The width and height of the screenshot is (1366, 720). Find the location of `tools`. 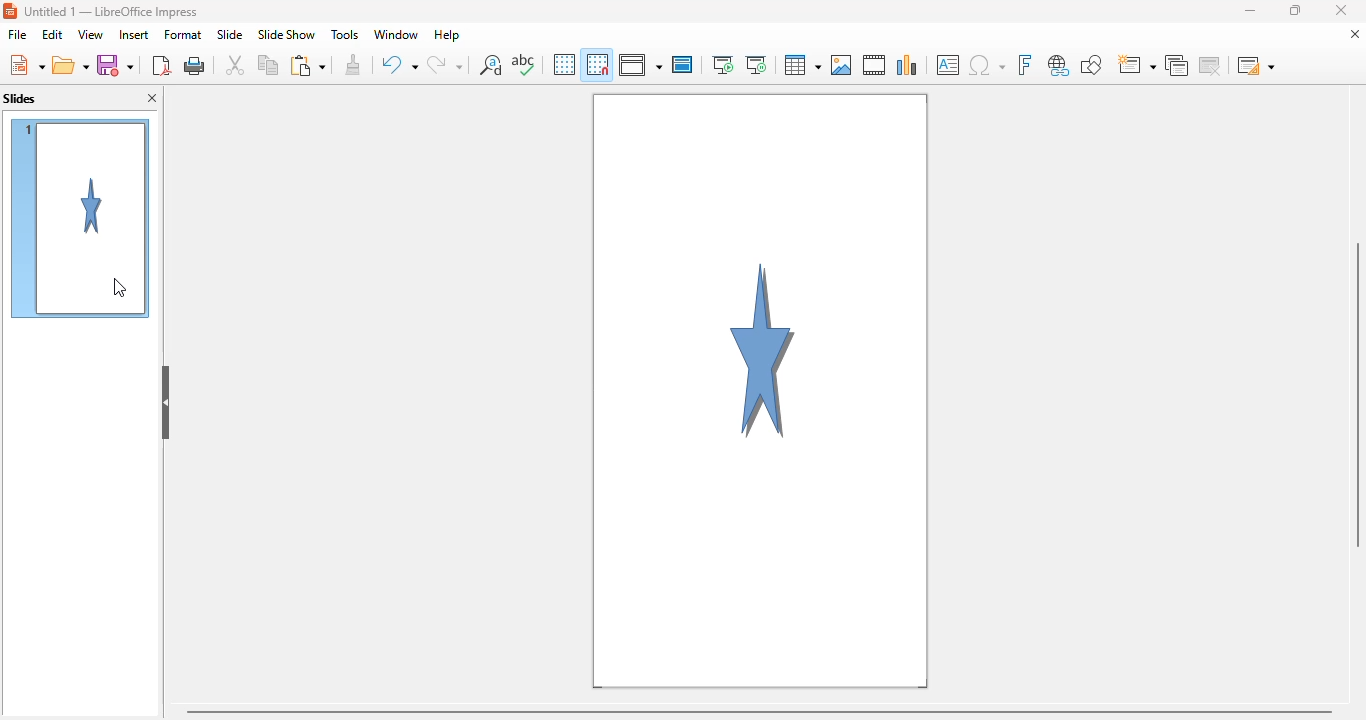

tools is located at coordinates (343, 35).